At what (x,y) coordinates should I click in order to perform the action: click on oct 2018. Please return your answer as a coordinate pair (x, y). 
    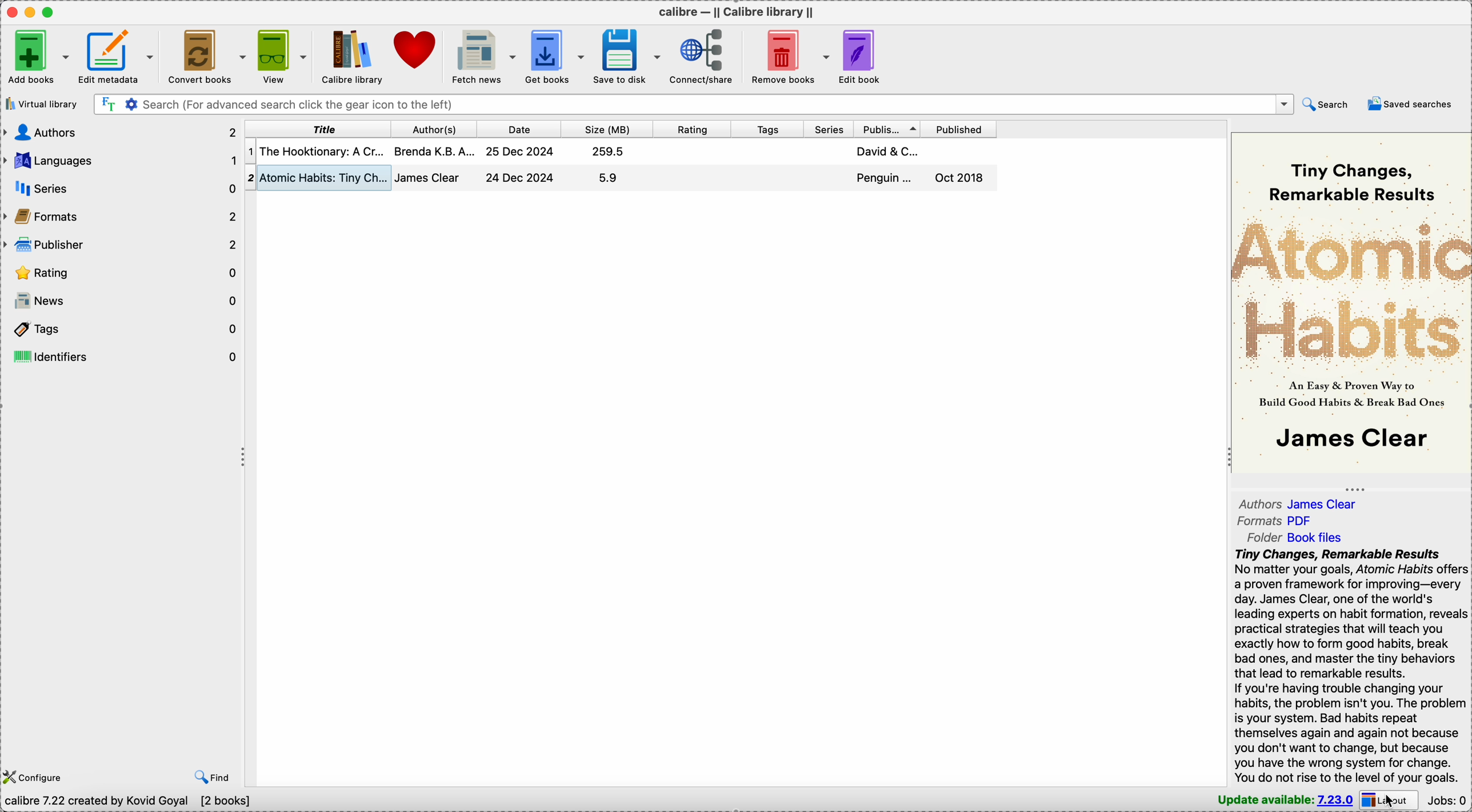
    Looking at the image, I should click on (959, 177).